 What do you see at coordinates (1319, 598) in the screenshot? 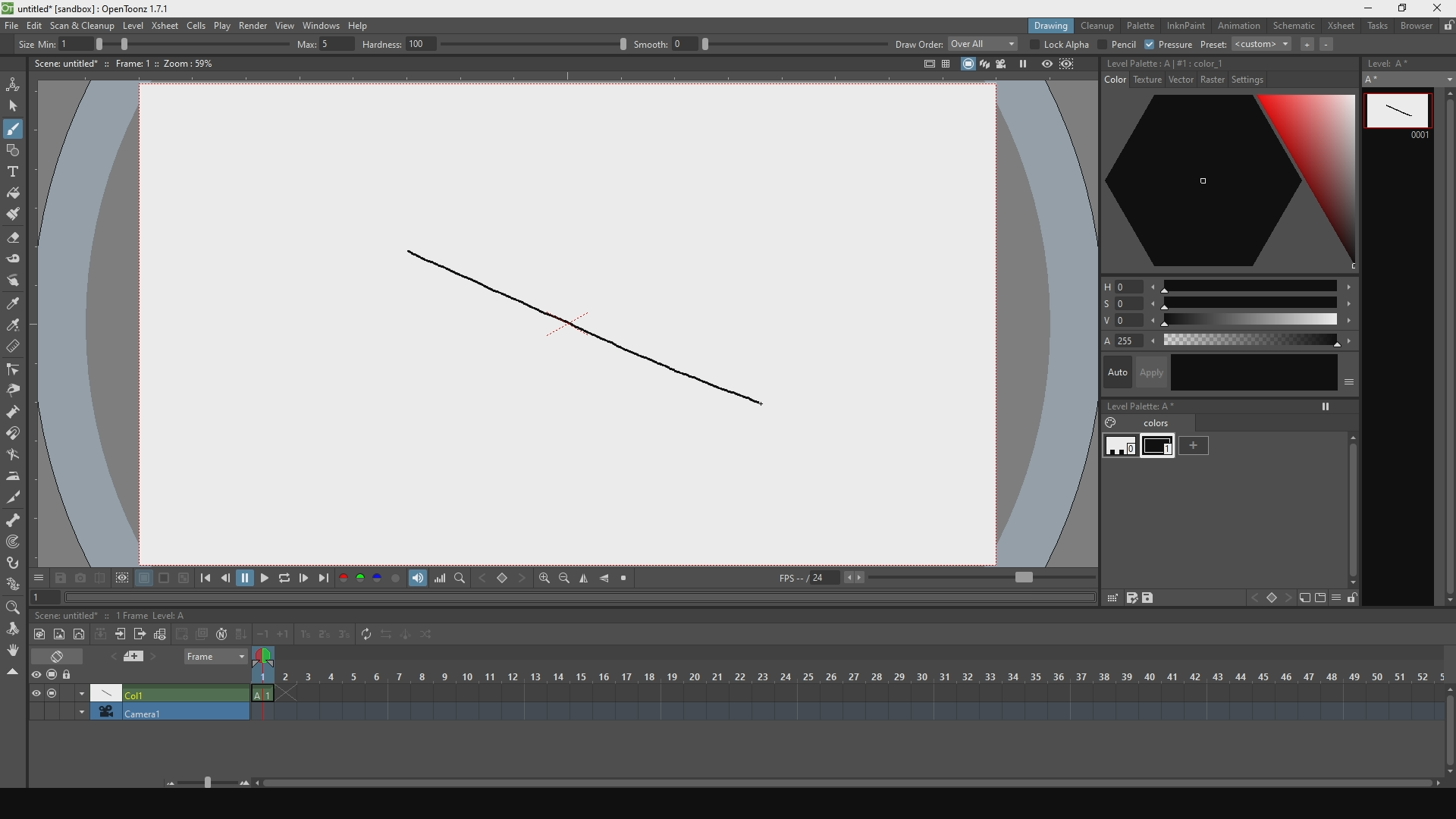
I see `icon` at bounding box center [1319, 598].